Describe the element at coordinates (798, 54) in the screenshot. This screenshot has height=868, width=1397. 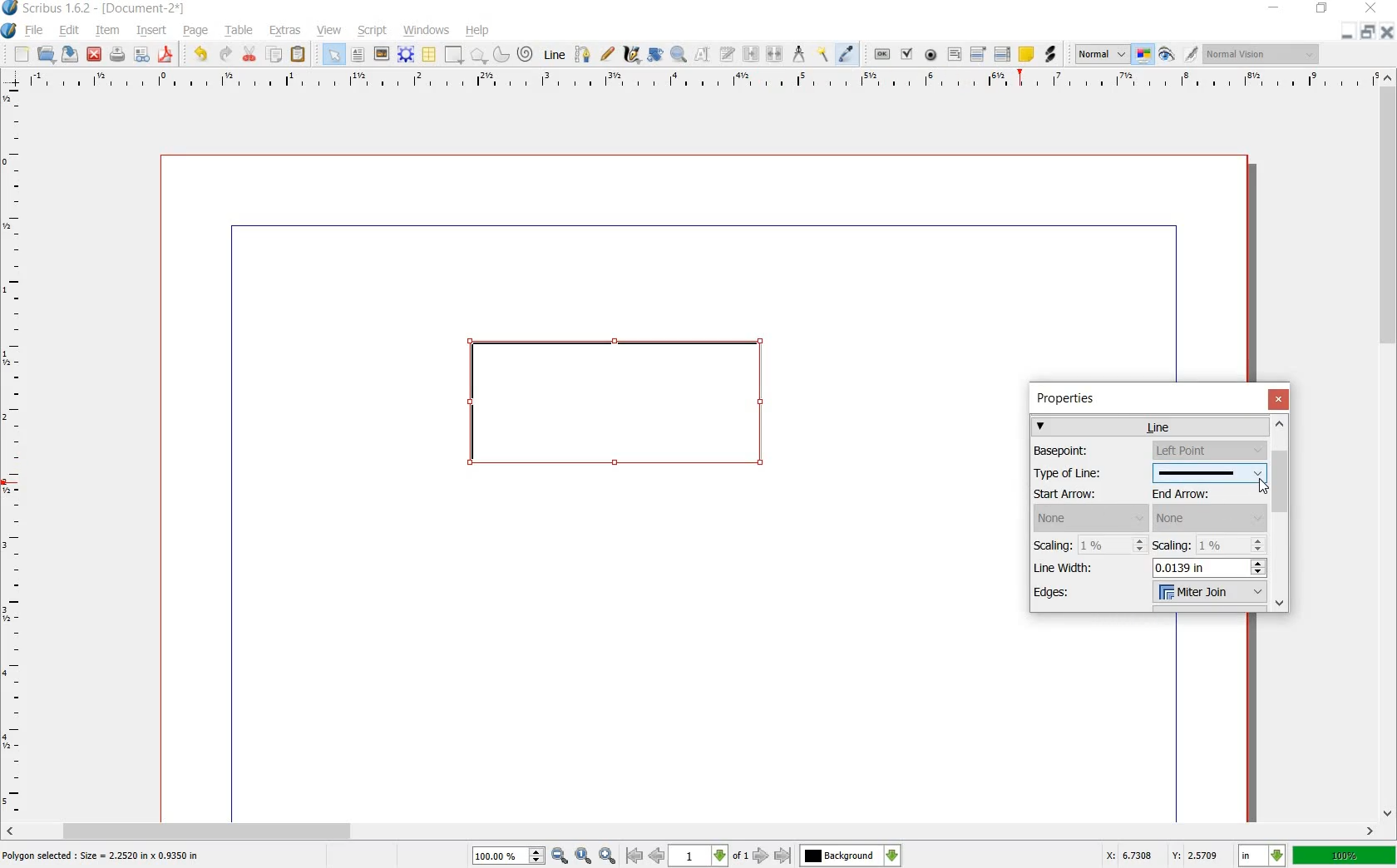
I see `MEASUREMENTS` at that location.